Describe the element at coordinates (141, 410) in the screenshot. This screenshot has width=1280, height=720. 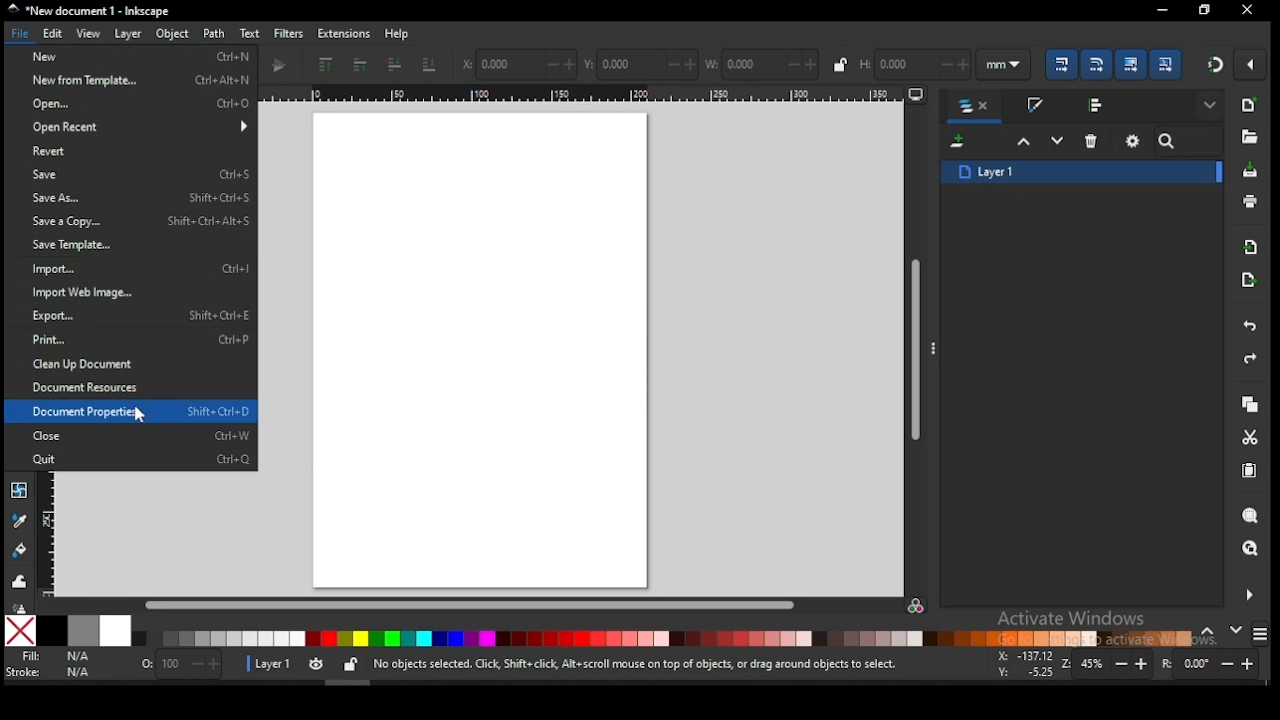
I see `document properties` at that location.